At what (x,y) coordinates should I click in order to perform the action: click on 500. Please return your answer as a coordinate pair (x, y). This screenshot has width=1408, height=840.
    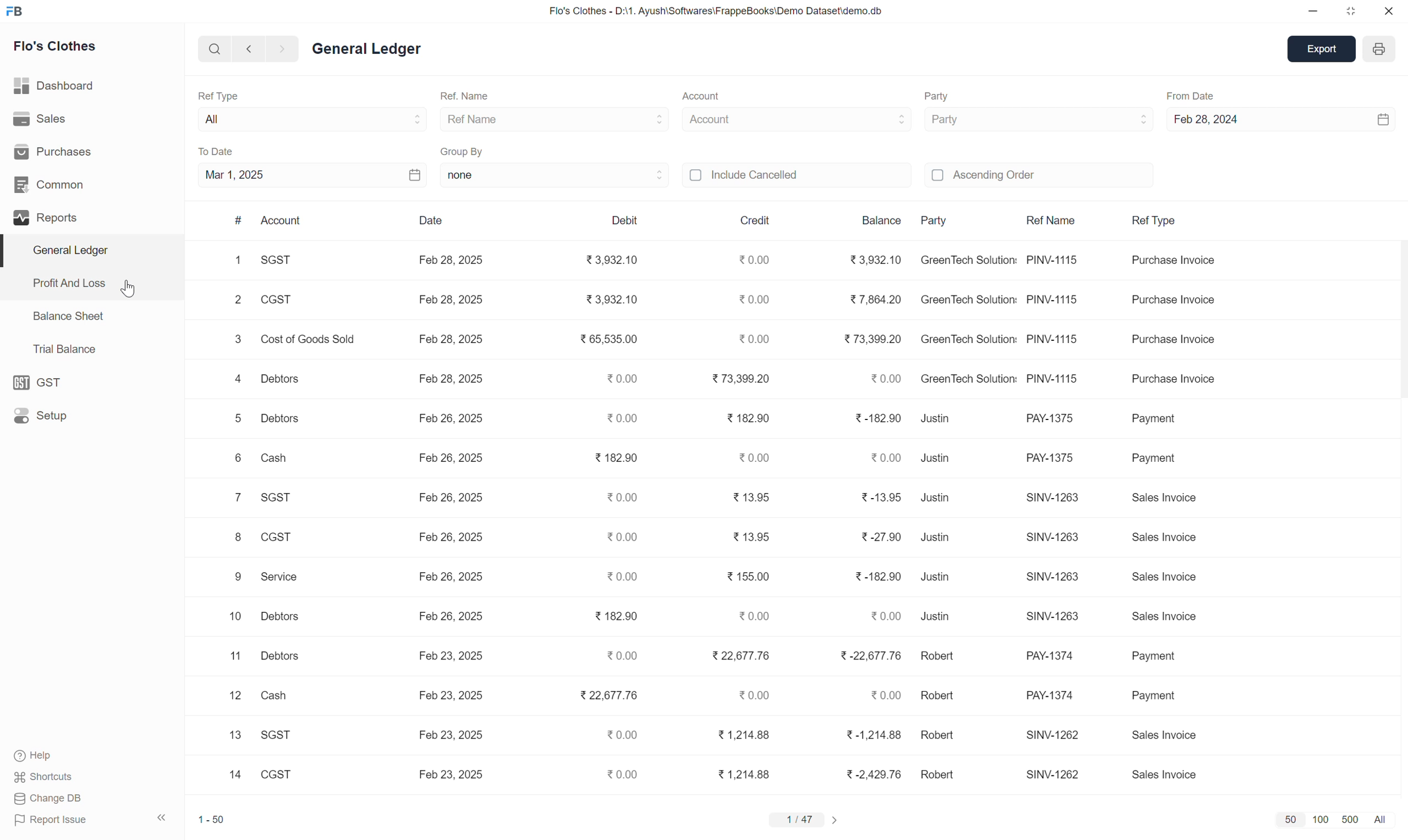
    Looking at the image, I should click on (1350, 817).